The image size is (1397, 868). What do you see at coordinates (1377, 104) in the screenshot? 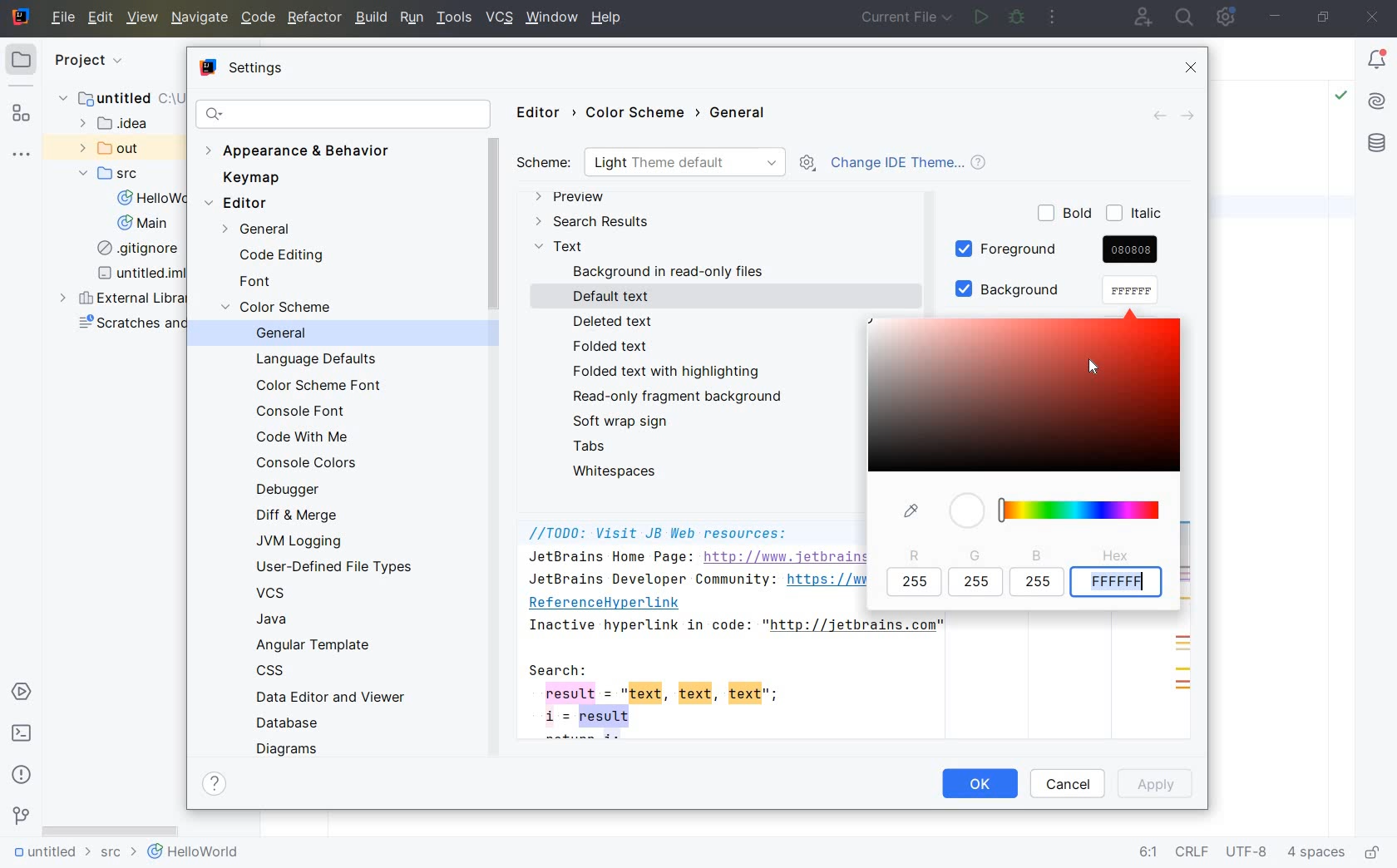
I see `AI Assistant` at bounding box center [1377, 104].